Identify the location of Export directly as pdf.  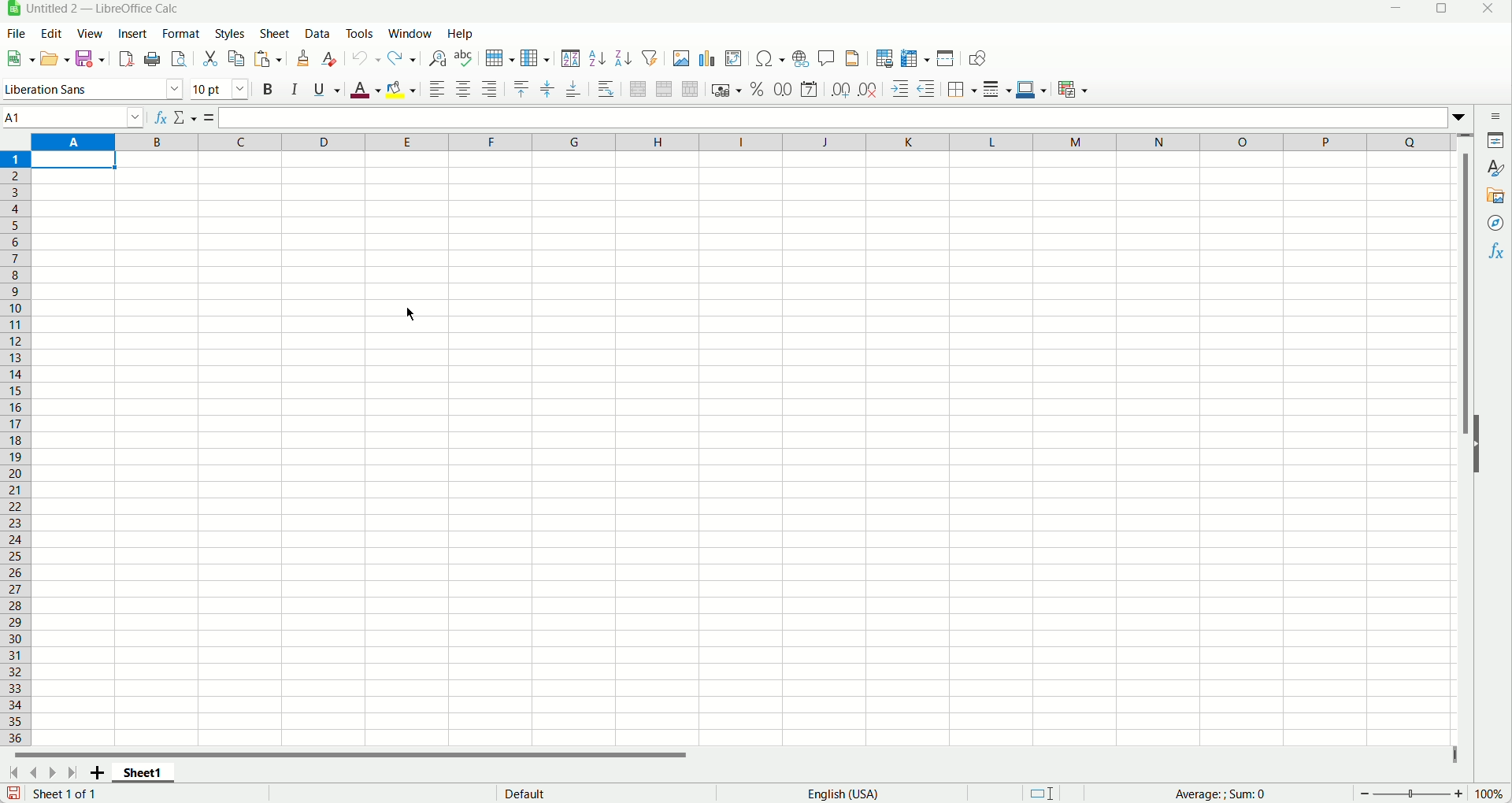
(128, 60).